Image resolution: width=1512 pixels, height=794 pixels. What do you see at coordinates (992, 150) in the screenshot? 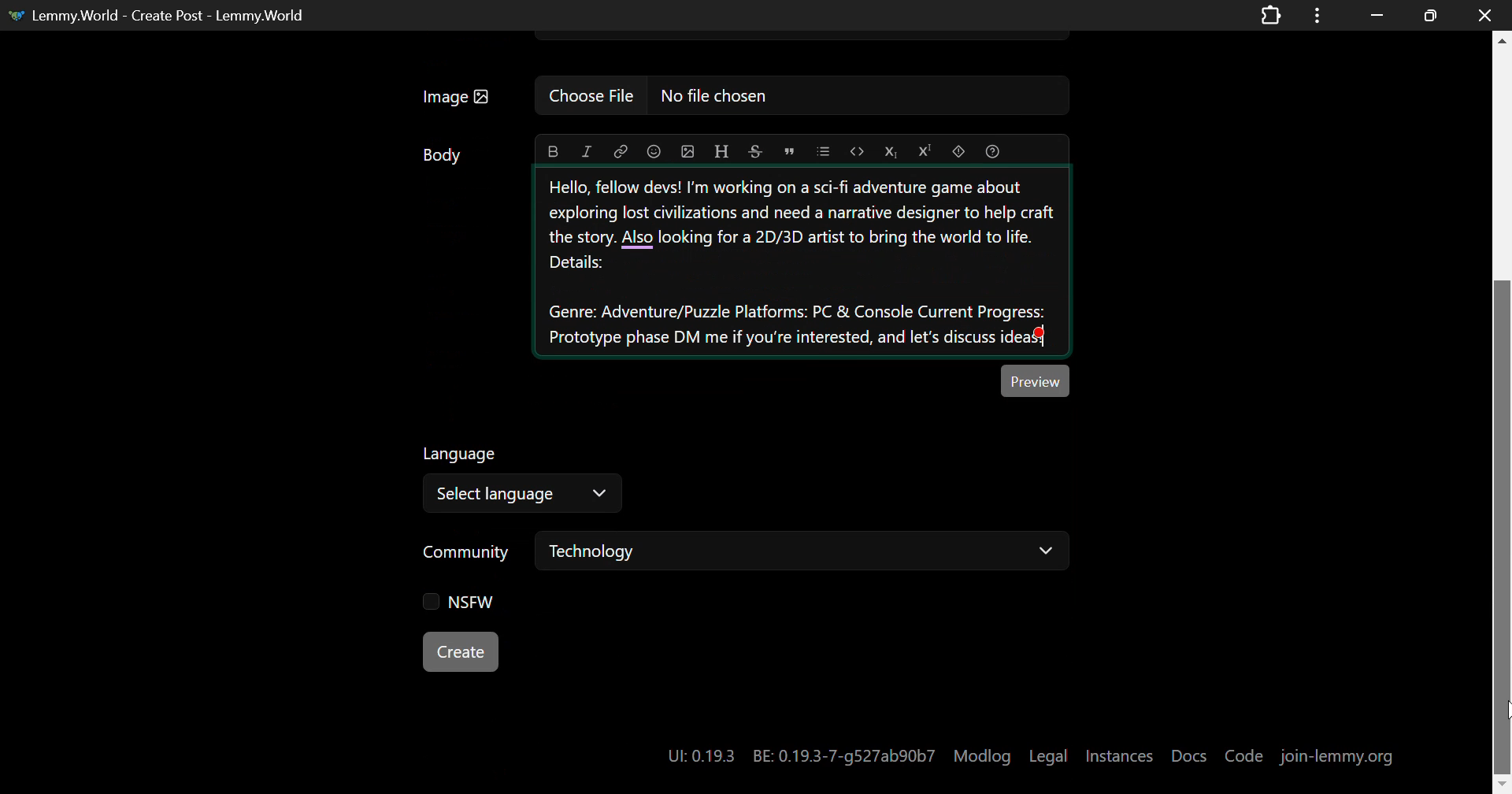
I see `formatting help` at bounding box center [992, 150].